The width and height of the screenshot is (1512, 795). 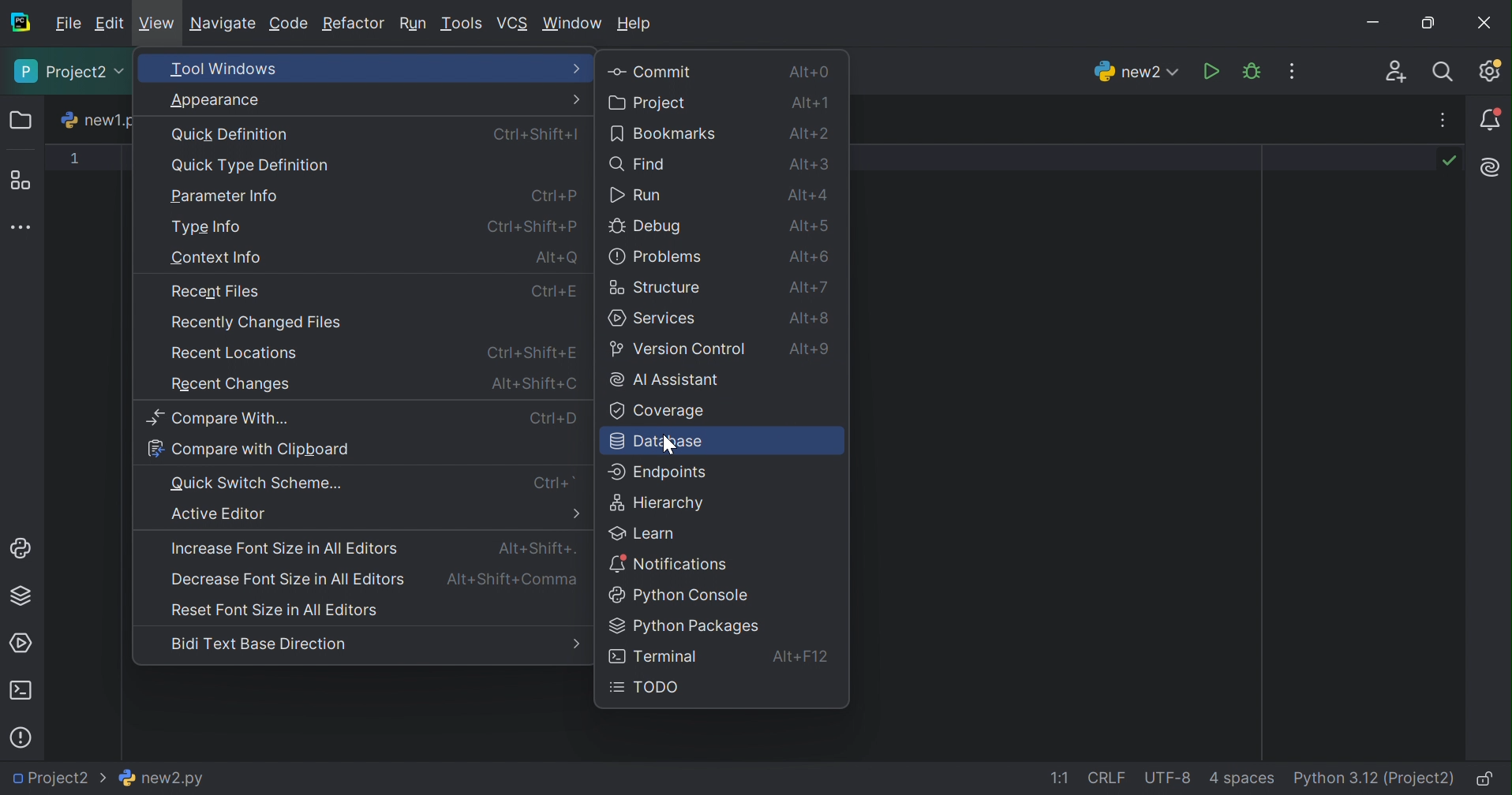 I want to click on Tool windows, so click(x=225, y=71).